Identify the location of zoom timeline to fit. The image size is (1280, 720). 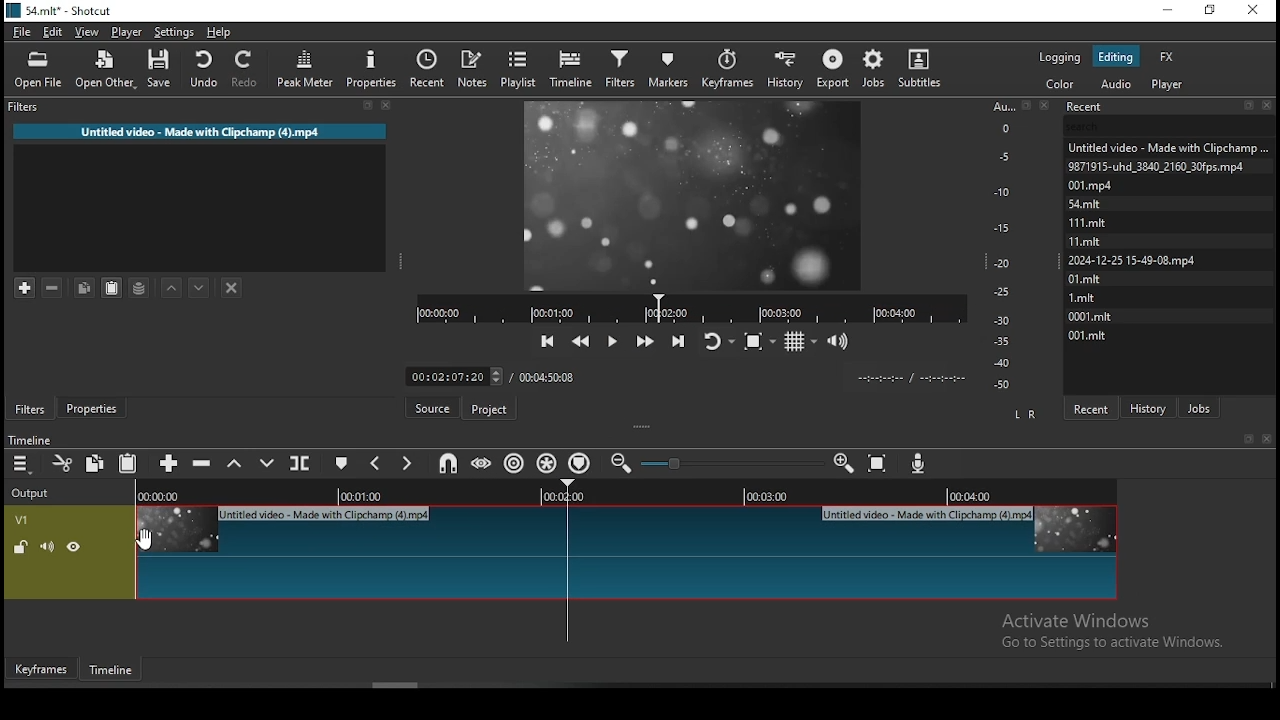
(878, 466).